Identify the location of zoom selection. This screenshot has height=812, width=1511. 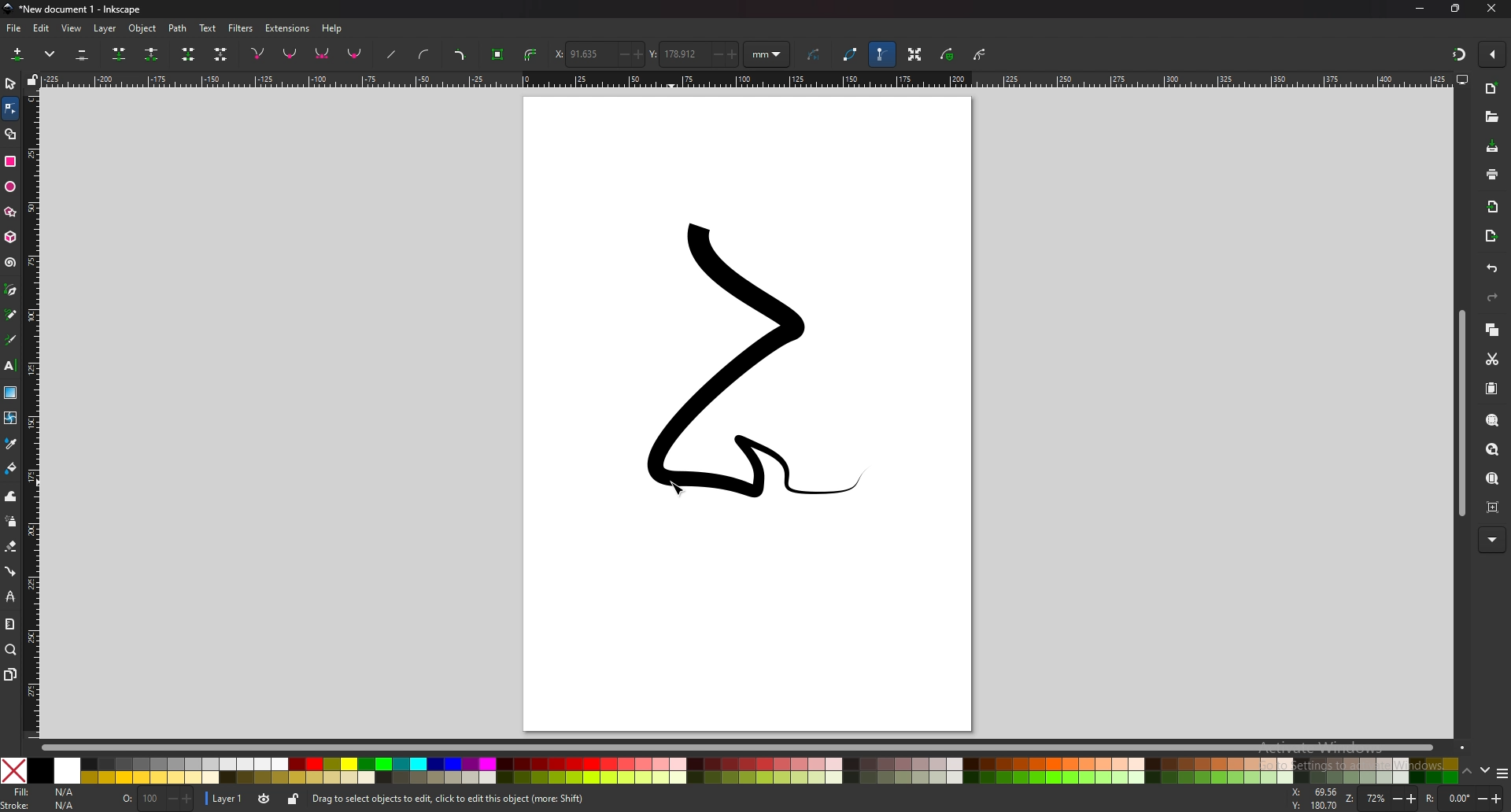
(1493, 420).